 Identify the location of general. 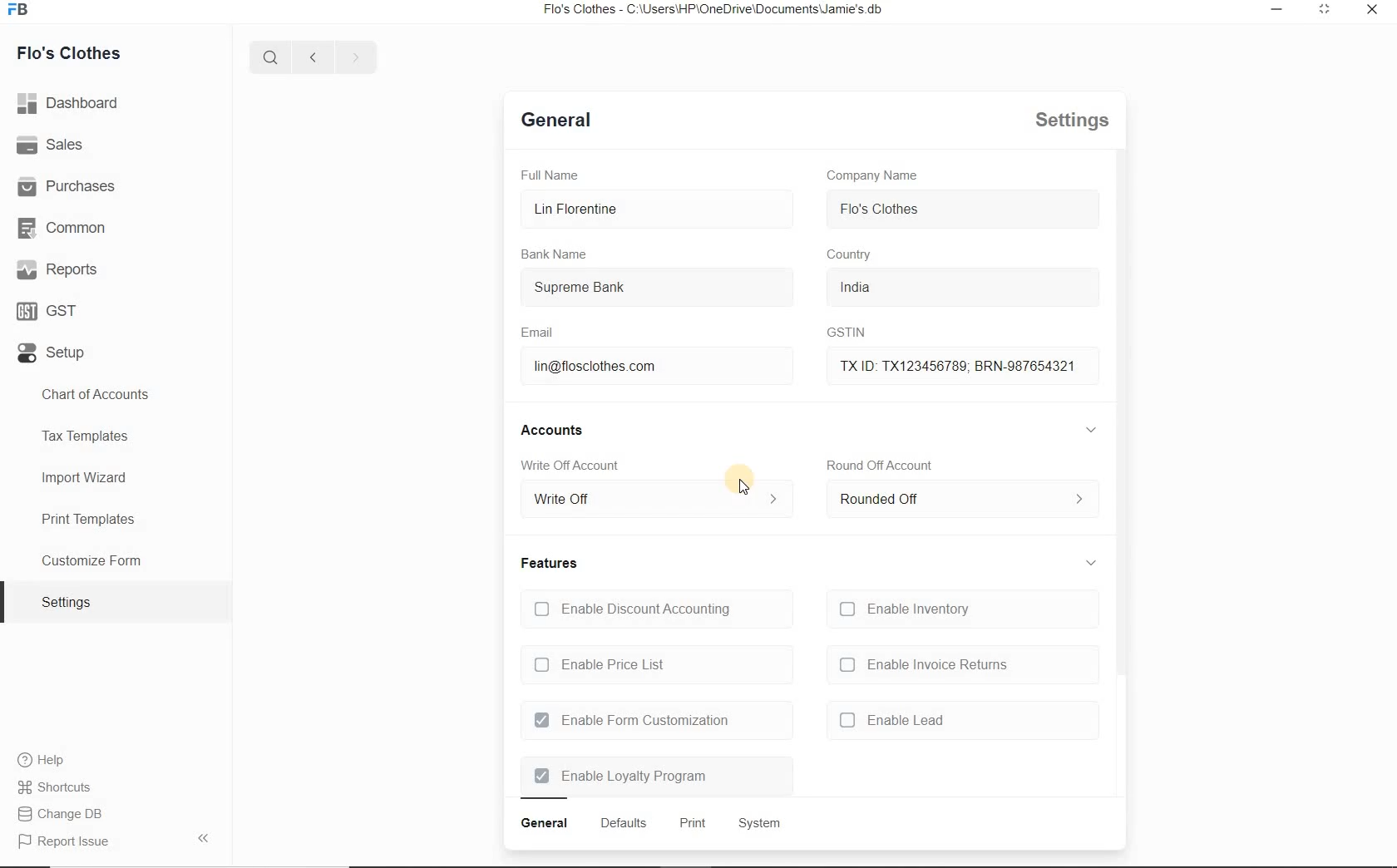
(558, 123).